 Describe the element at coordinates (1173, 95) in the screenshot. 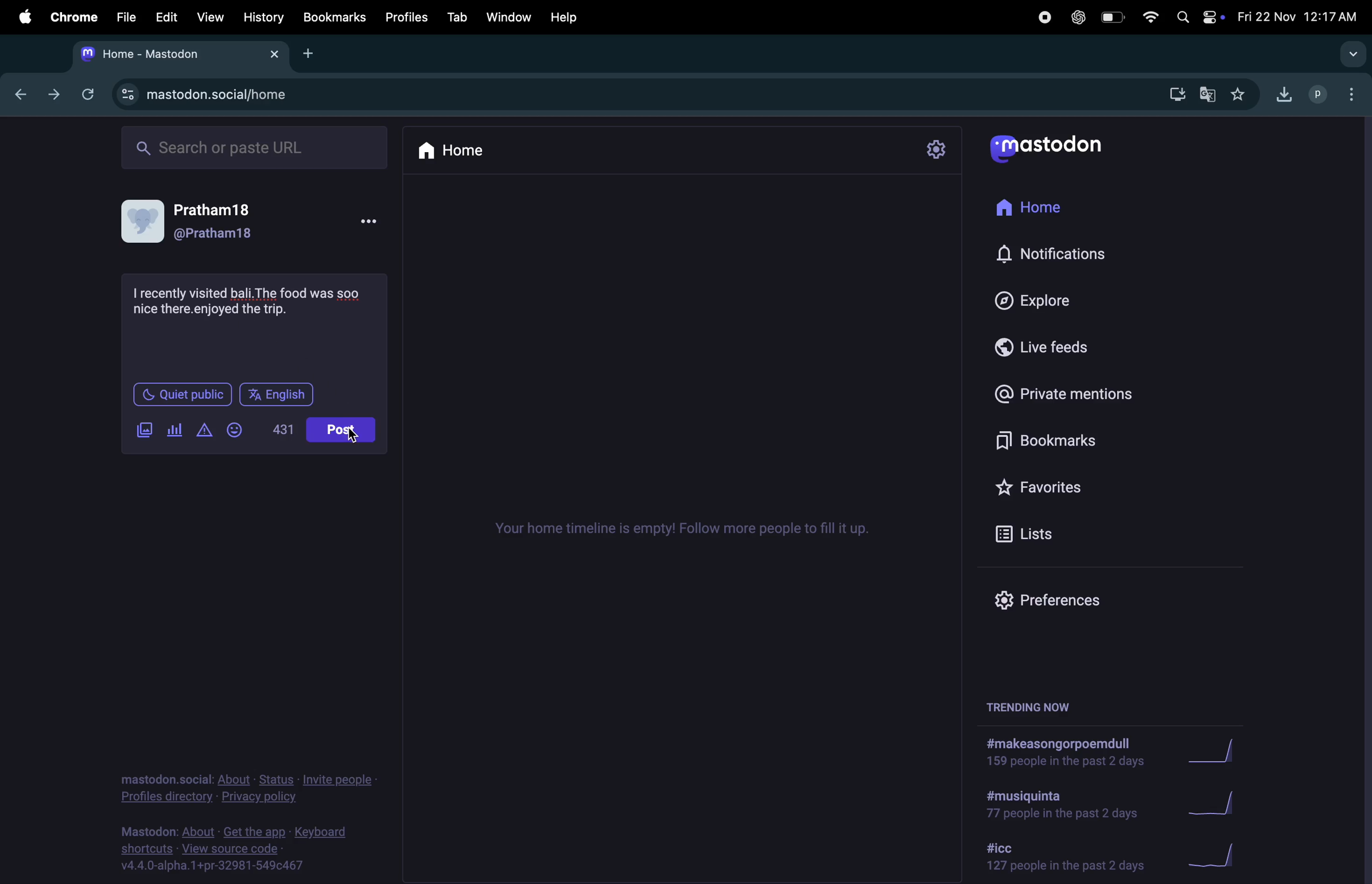

I see `downloads` at that location.